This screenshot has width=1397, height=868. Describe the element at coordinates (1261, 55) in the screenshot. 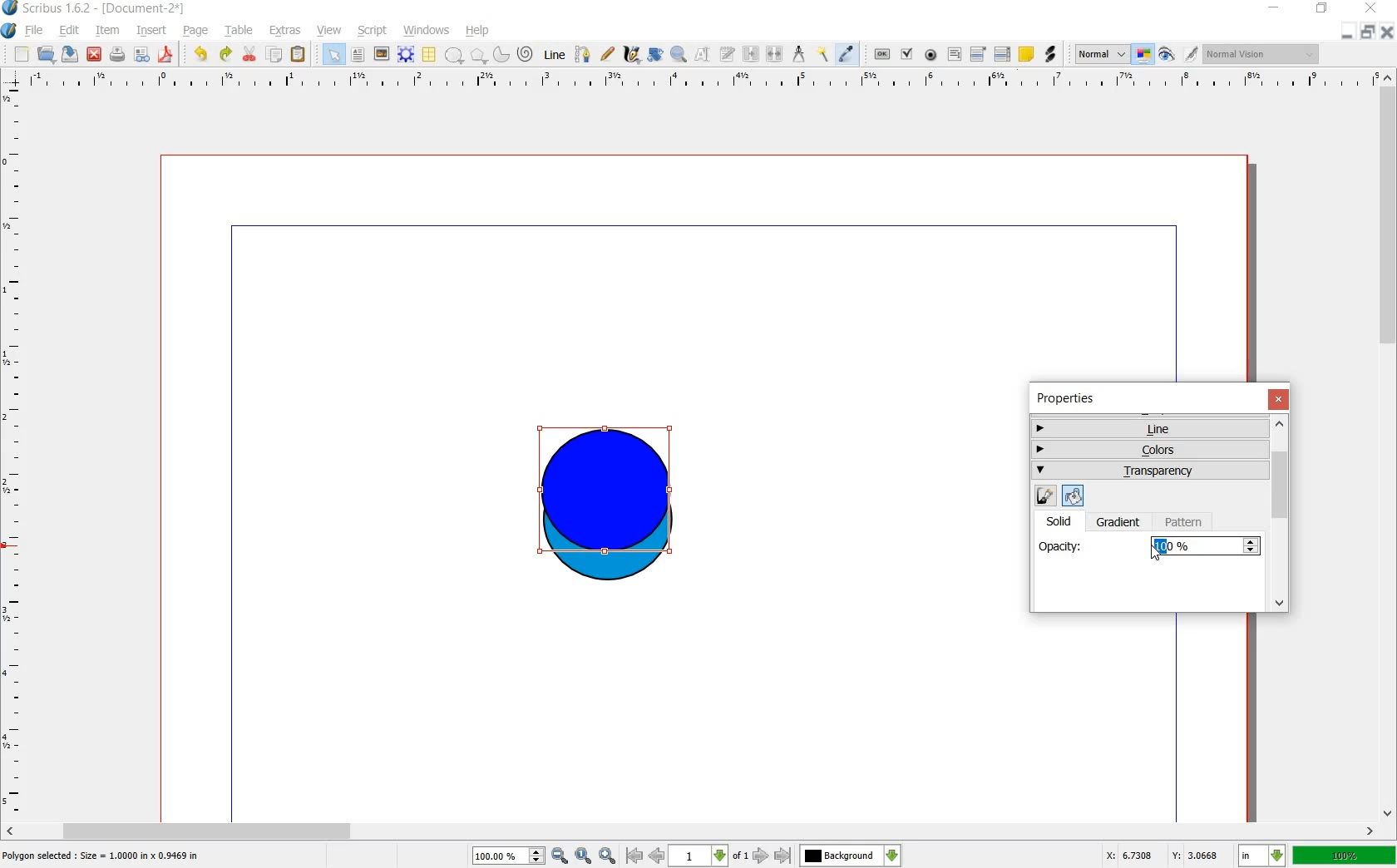

I see `normal vision ` at that location.